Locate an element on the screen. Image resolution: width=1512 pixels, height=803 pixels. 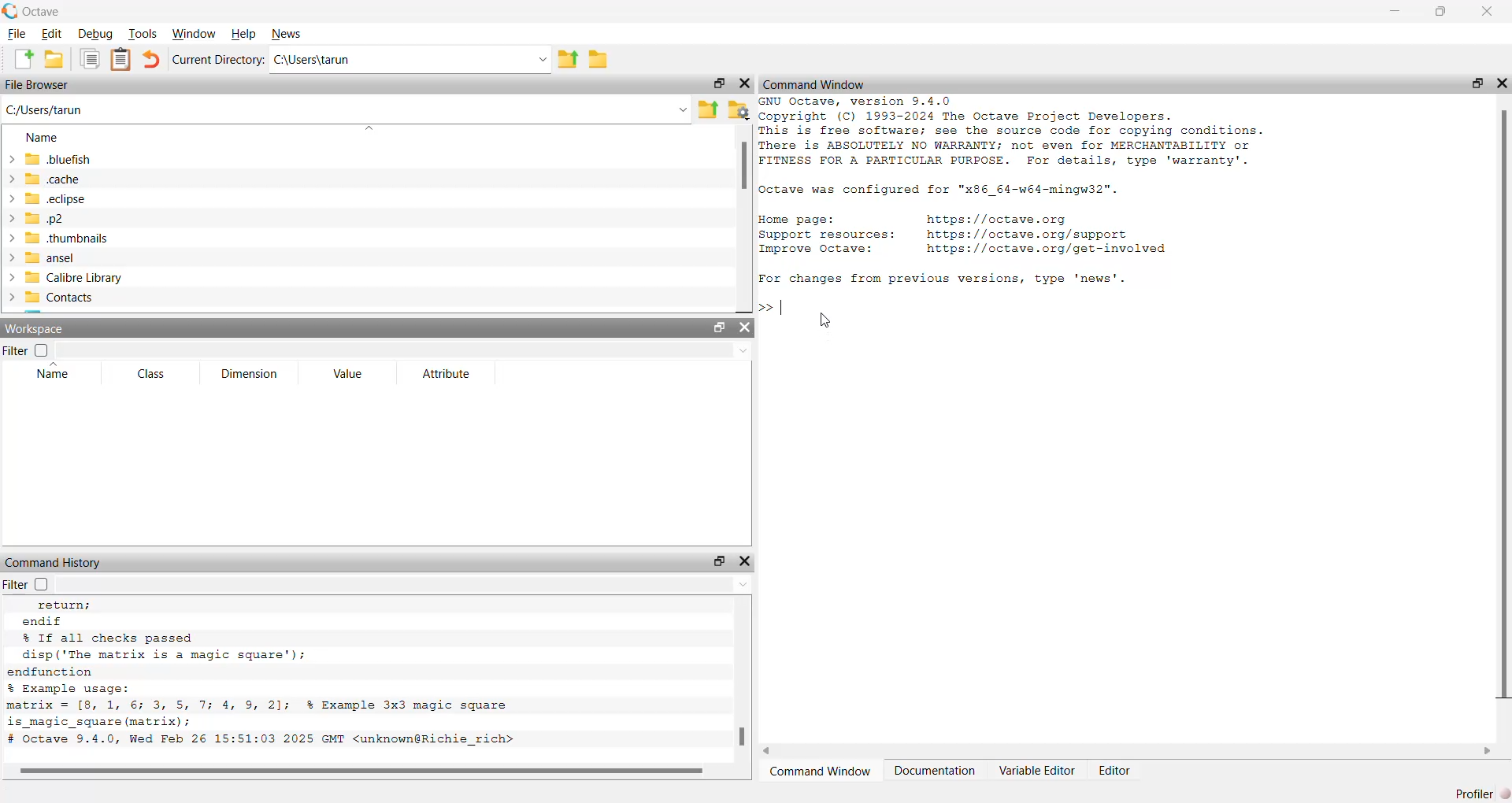
close is located at coordinates (1488, 11).